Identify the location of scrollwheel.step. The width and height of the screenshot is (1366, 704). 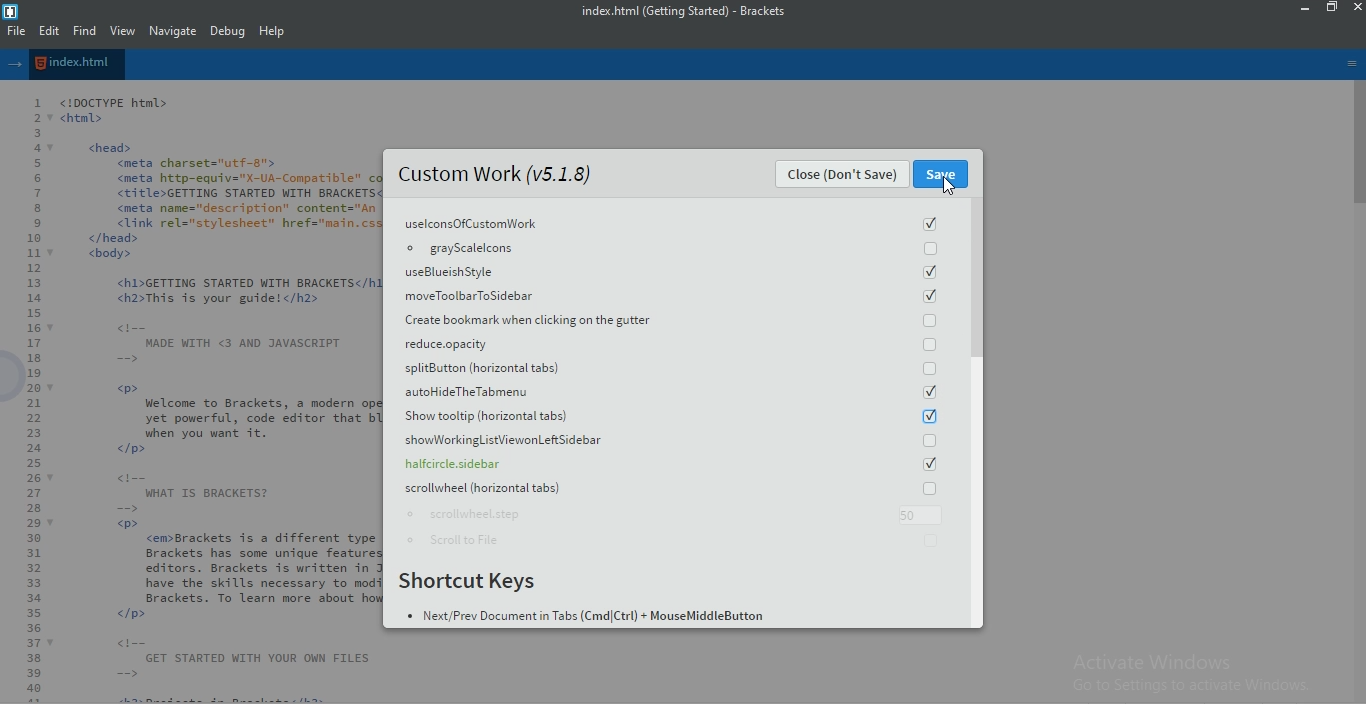
(675, 514).